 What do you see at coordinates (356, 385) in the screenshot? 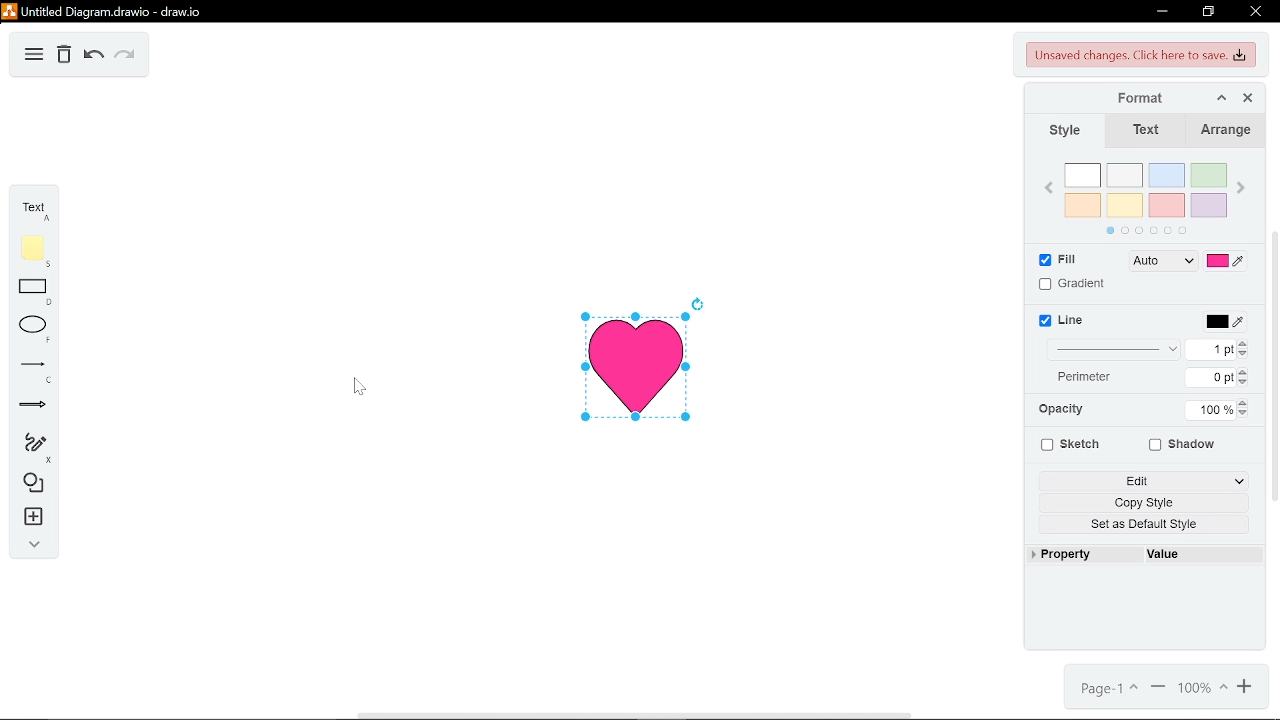
I see `Cursor` at bounding box center [356, 385].